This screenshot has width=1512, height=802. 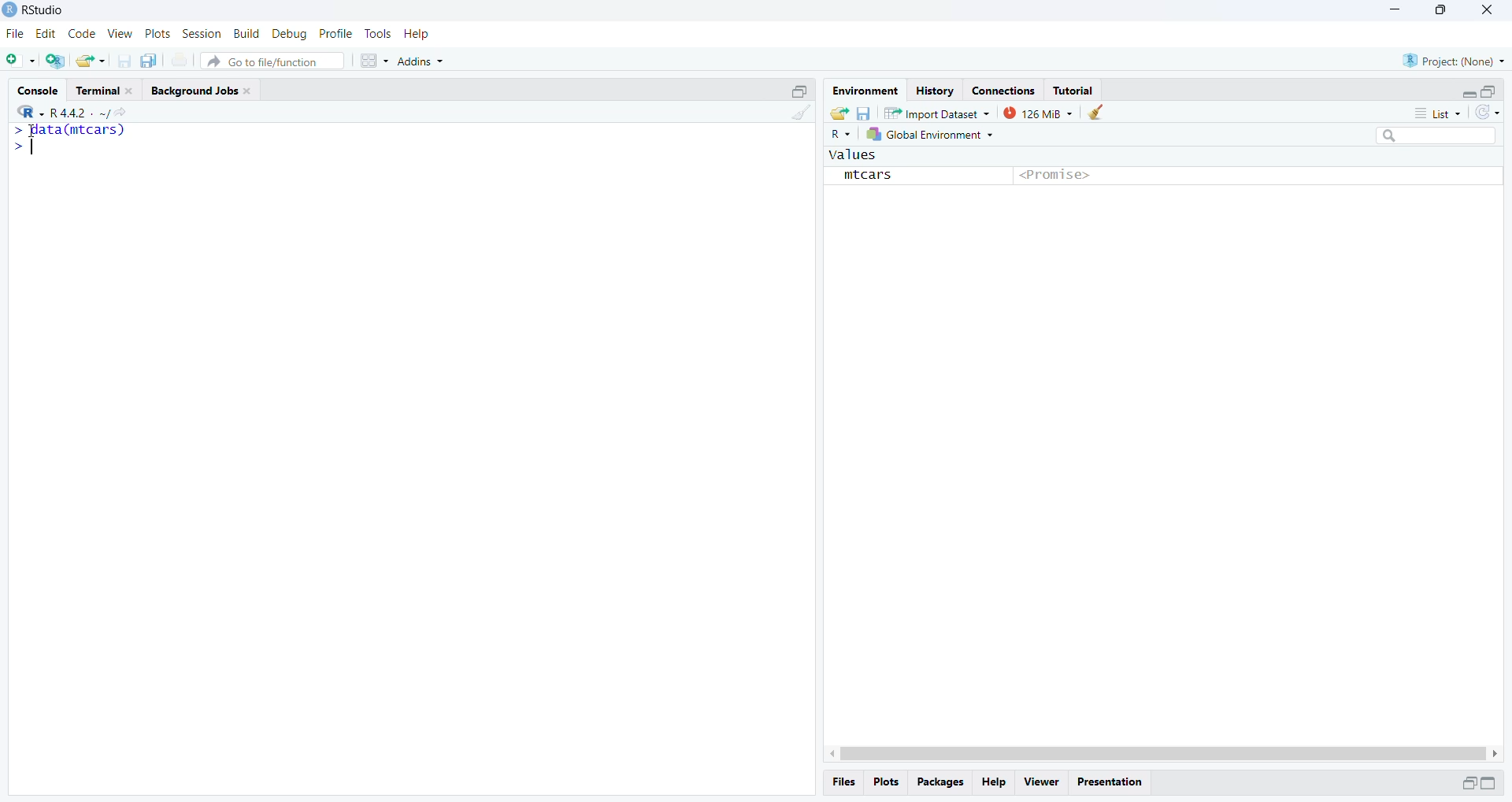 What do you see at coordinates (844, 782) in the screenshot?
I see `Files` at bounding box center [844, 782].